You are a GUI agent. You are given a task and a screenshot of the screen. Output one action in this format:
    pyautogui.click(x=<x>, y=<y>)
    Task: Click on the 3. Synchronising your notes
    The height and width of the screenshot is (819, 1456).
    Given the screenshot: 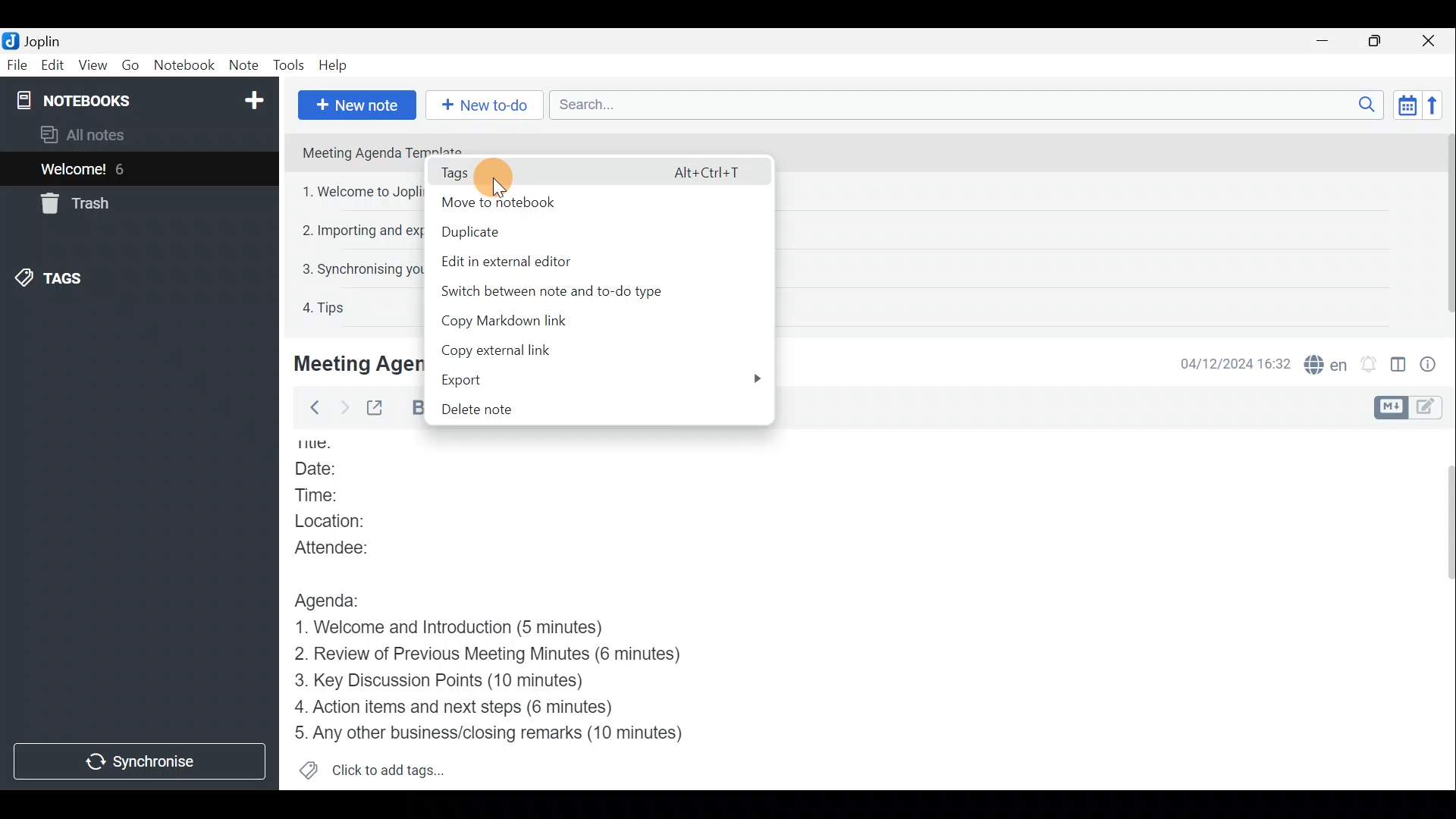 What is the action you would take?
    pyautogui.click(x=359, y=268)
    